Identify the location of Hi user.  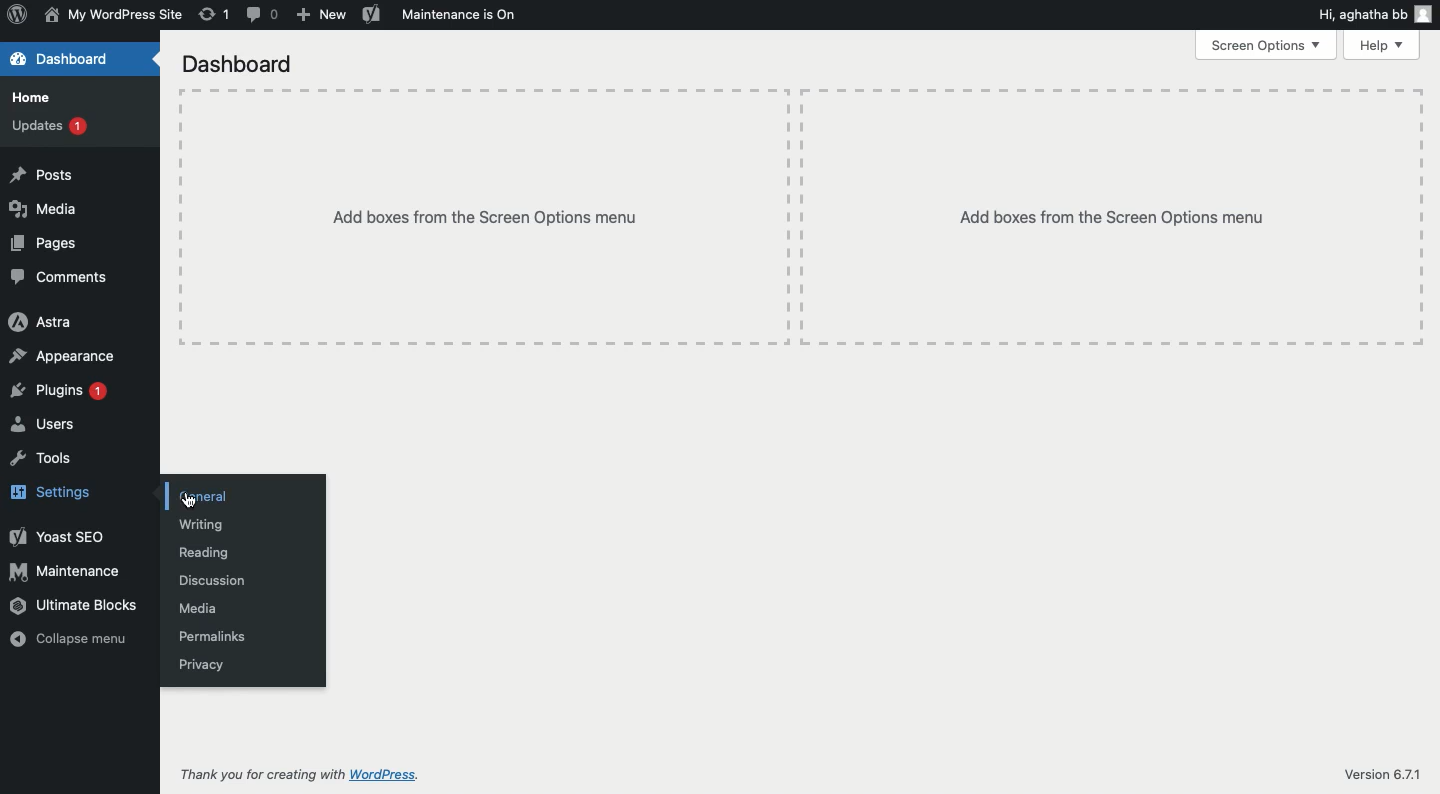
(1376, 14).